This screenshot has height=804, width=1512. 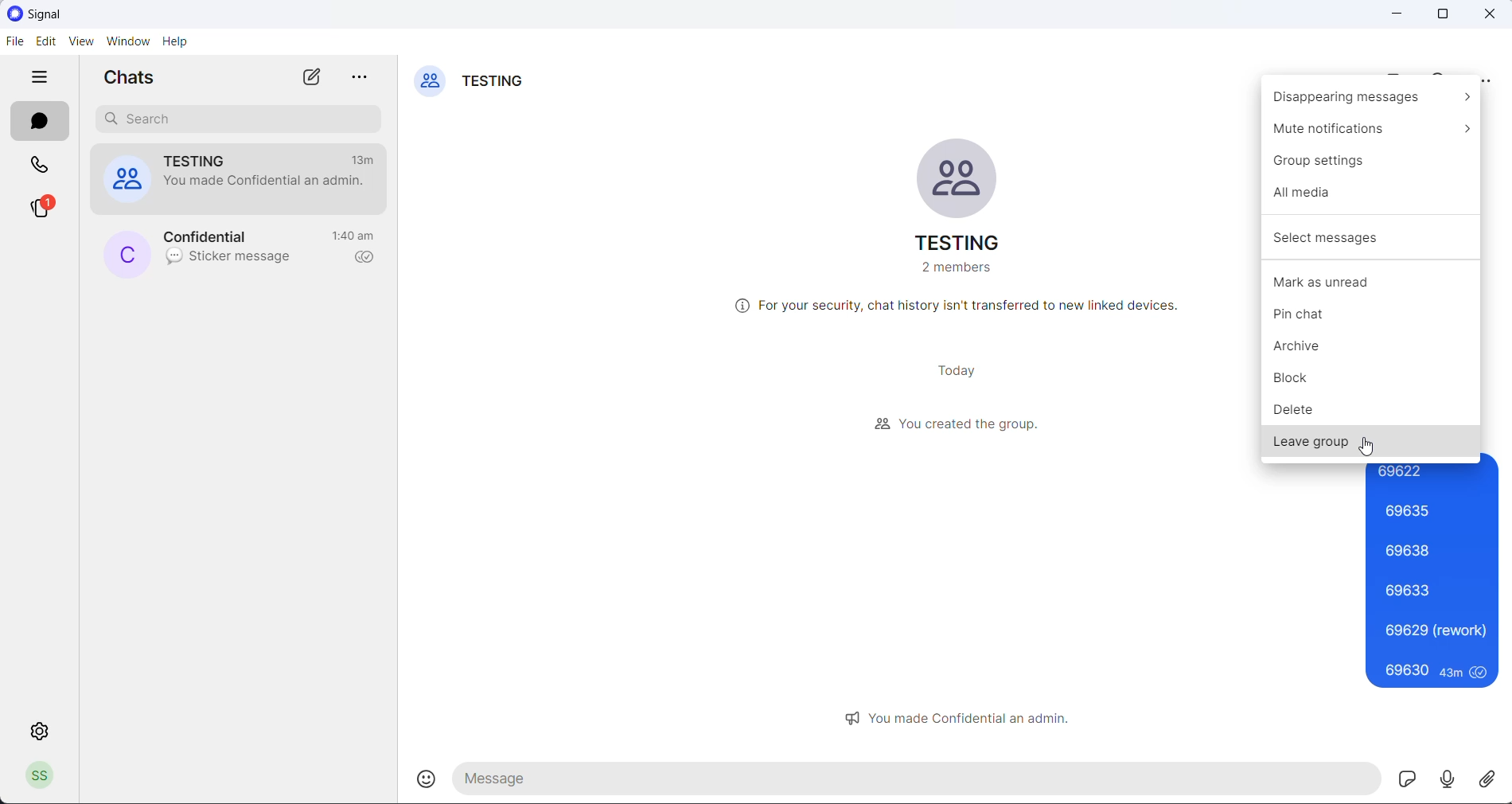 I want to click on settings, so click(x=39, y=732).